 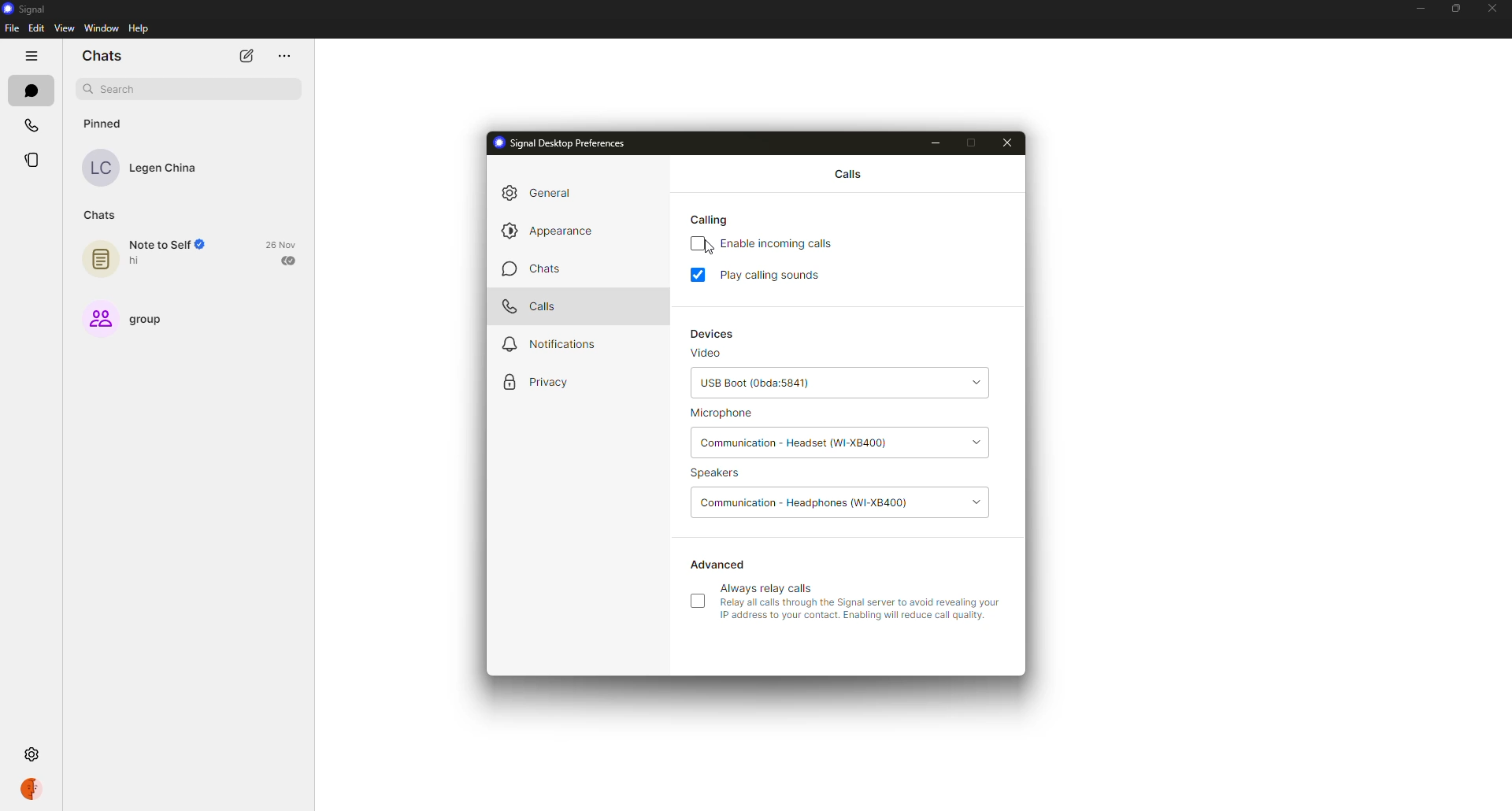 What do you see at coordinates (980, 382) in the screenshot?
I see `drop` at bounding box center [980, 382].